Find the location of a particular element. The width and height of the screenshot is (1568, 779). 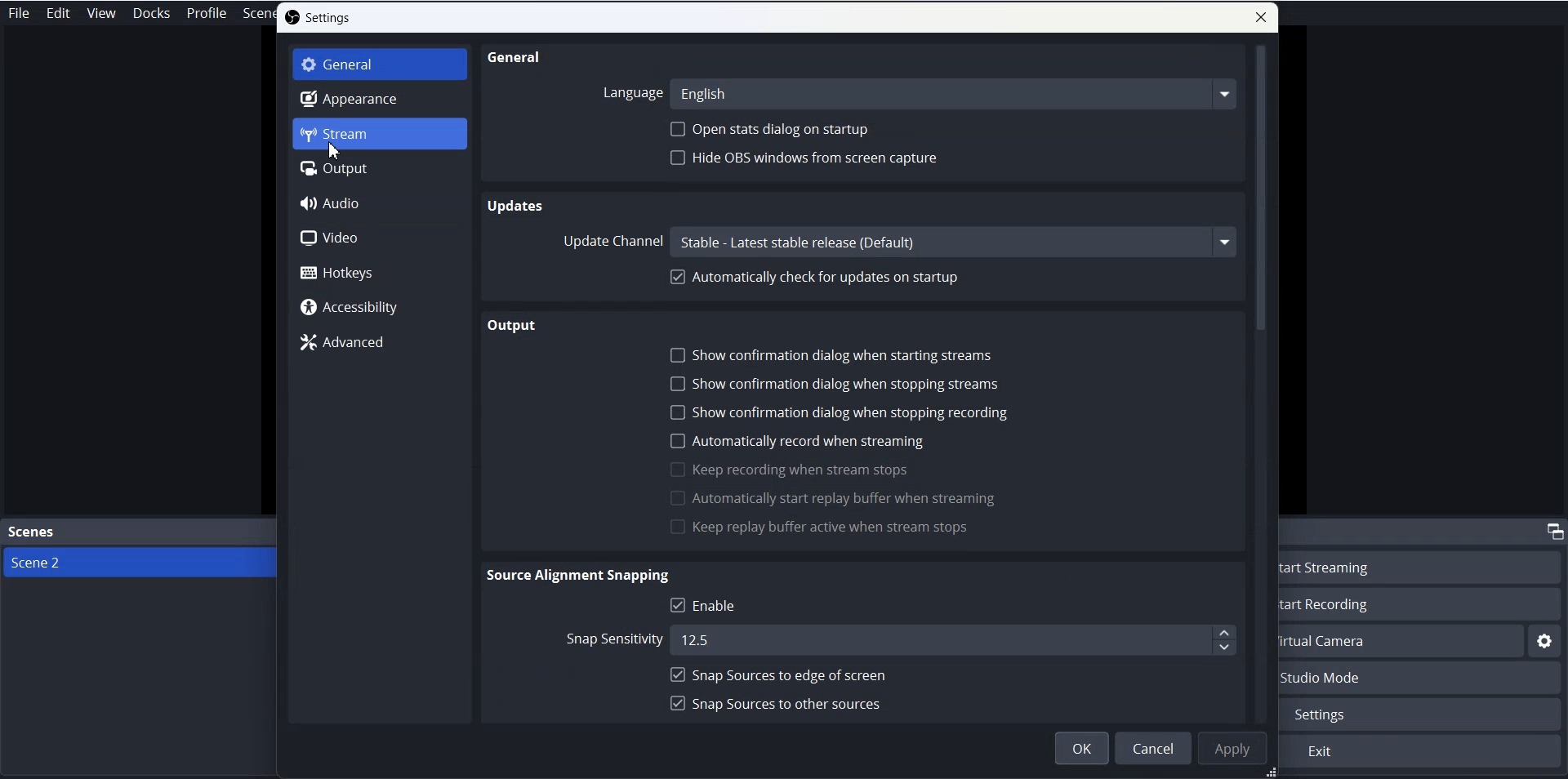

cursor on stream is located at coordinates (336, 151).